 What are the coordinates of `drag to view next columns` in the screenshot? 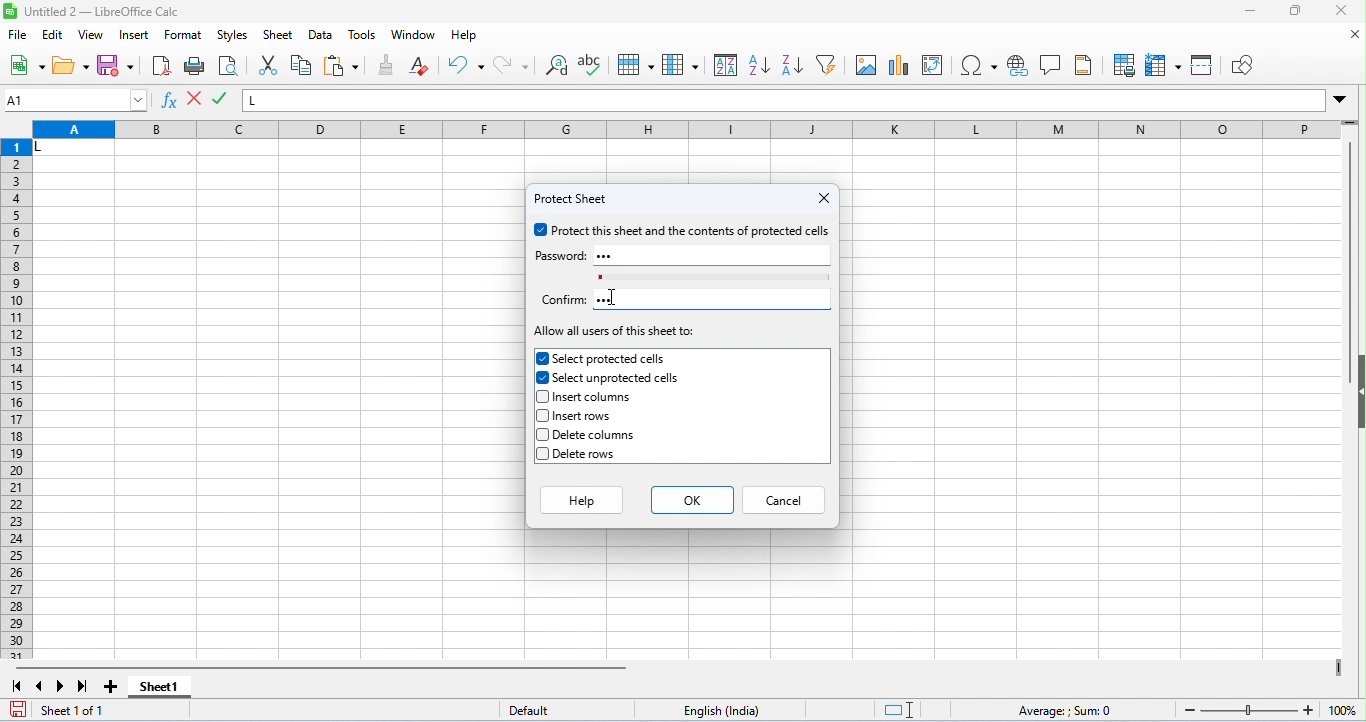 It's located at (1338, 667).